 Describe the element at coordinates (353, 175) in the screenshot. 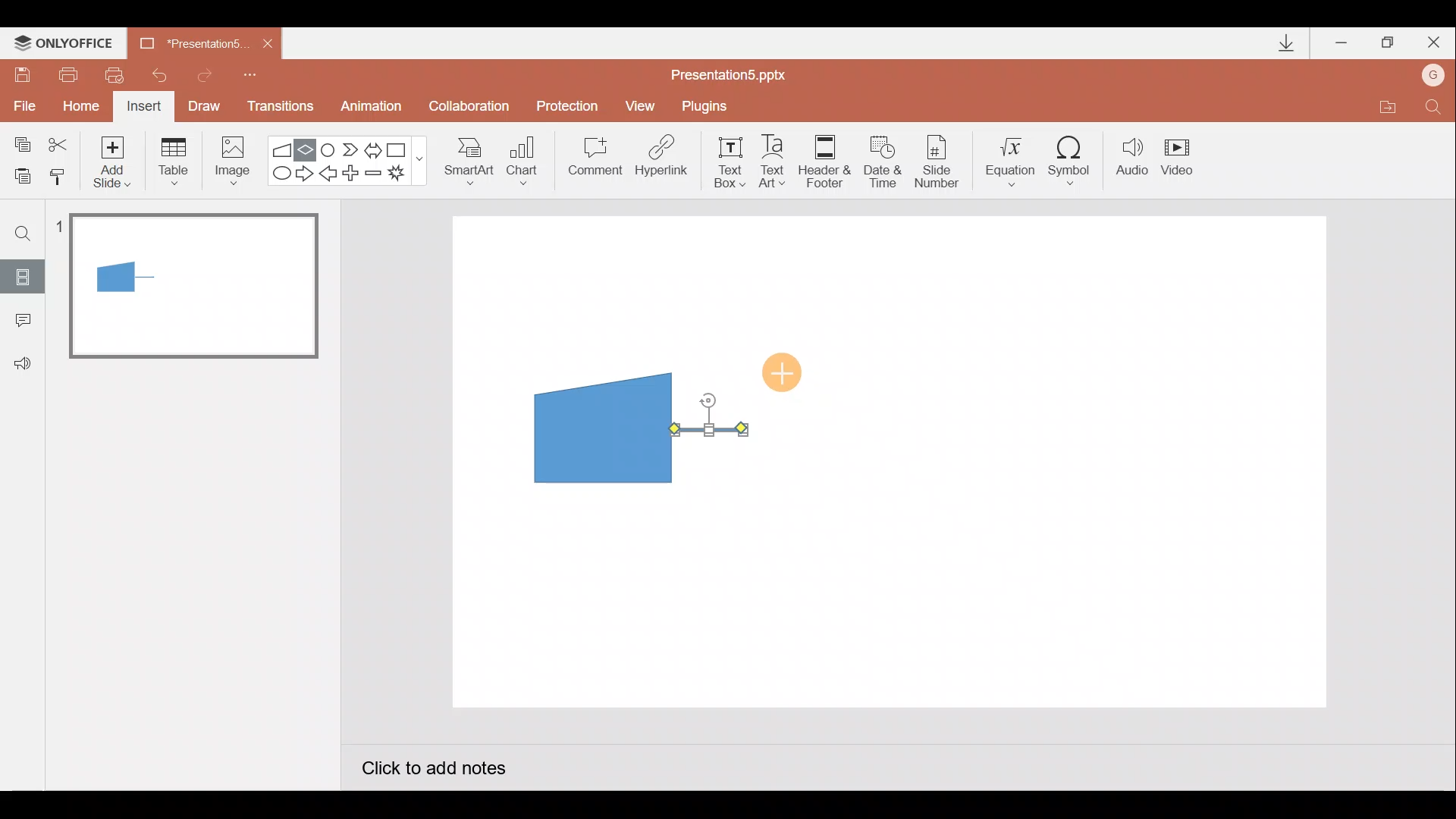

I see `Plus` at that location.